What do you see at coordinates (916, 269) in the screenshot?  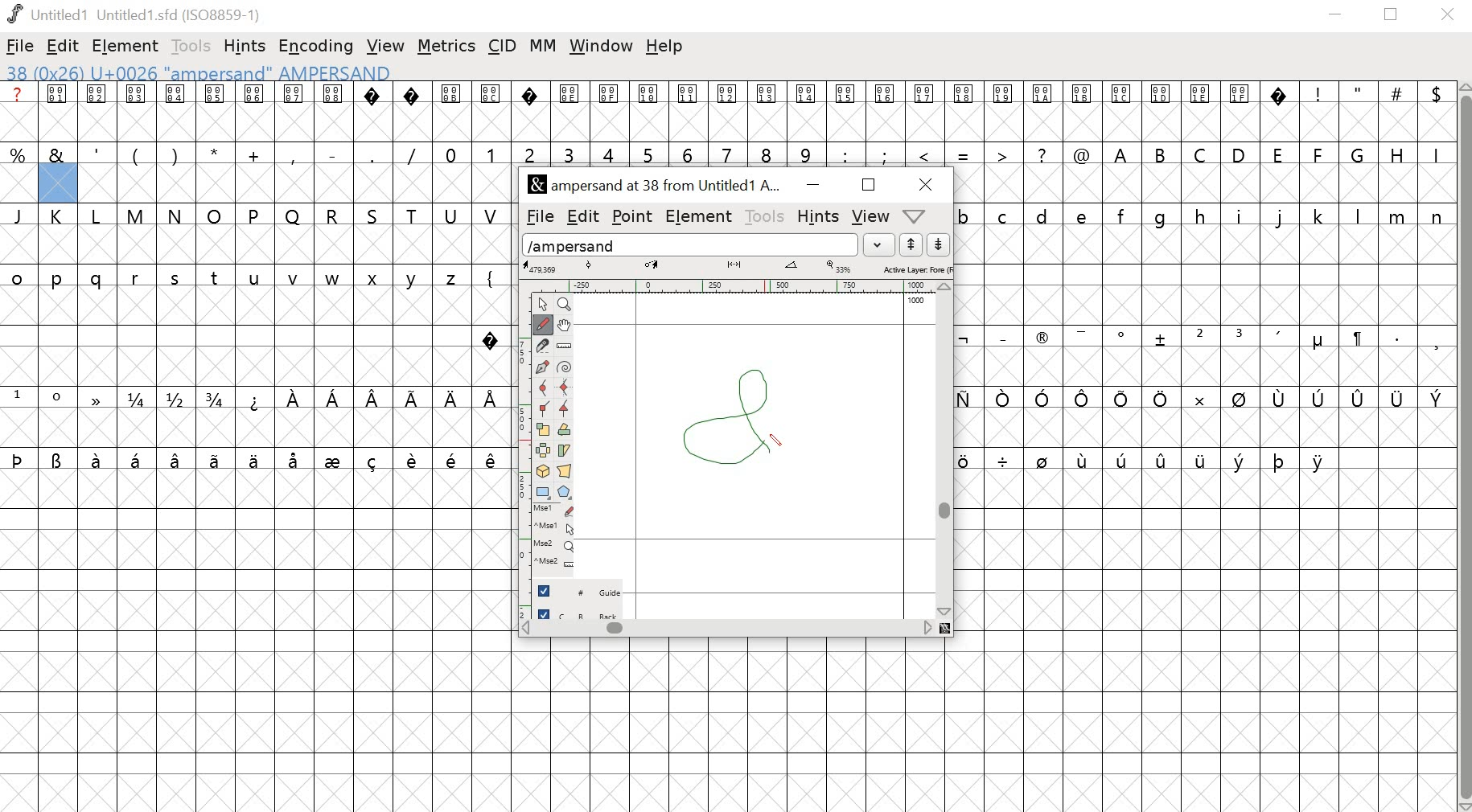 I see `active layer` at bounding box center [916, 269].